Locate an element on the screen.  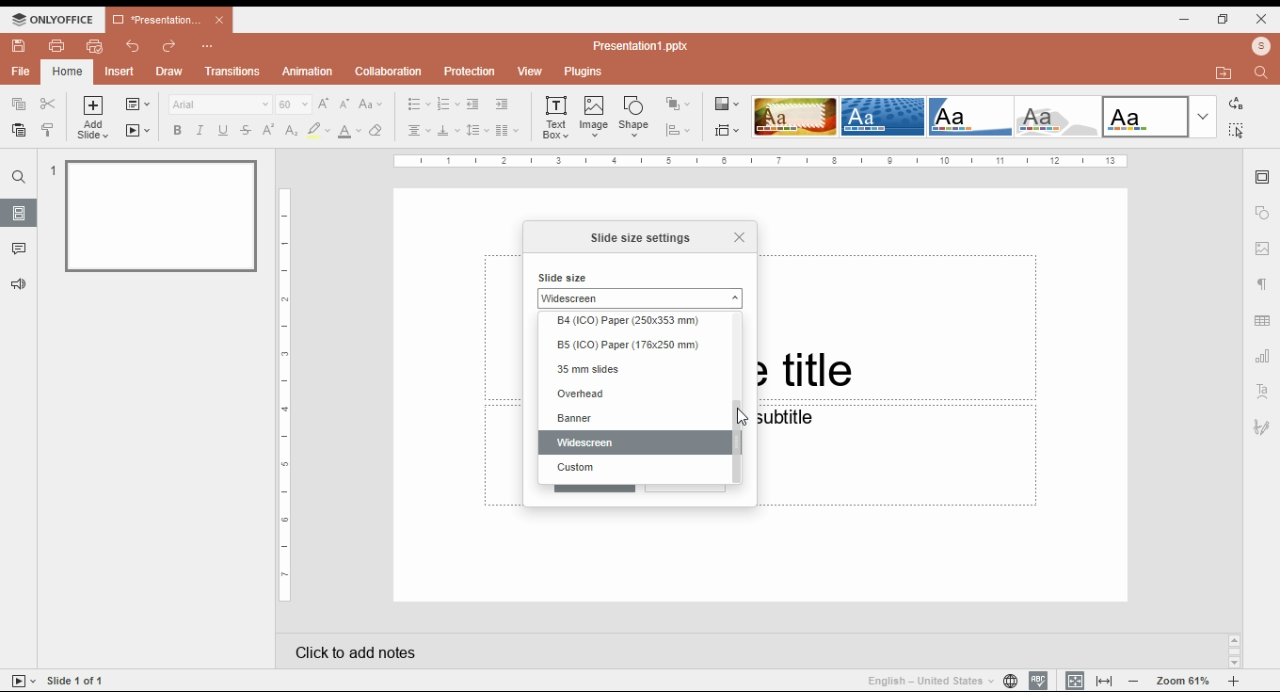
decrease indent is located at coordinates (472, 105).